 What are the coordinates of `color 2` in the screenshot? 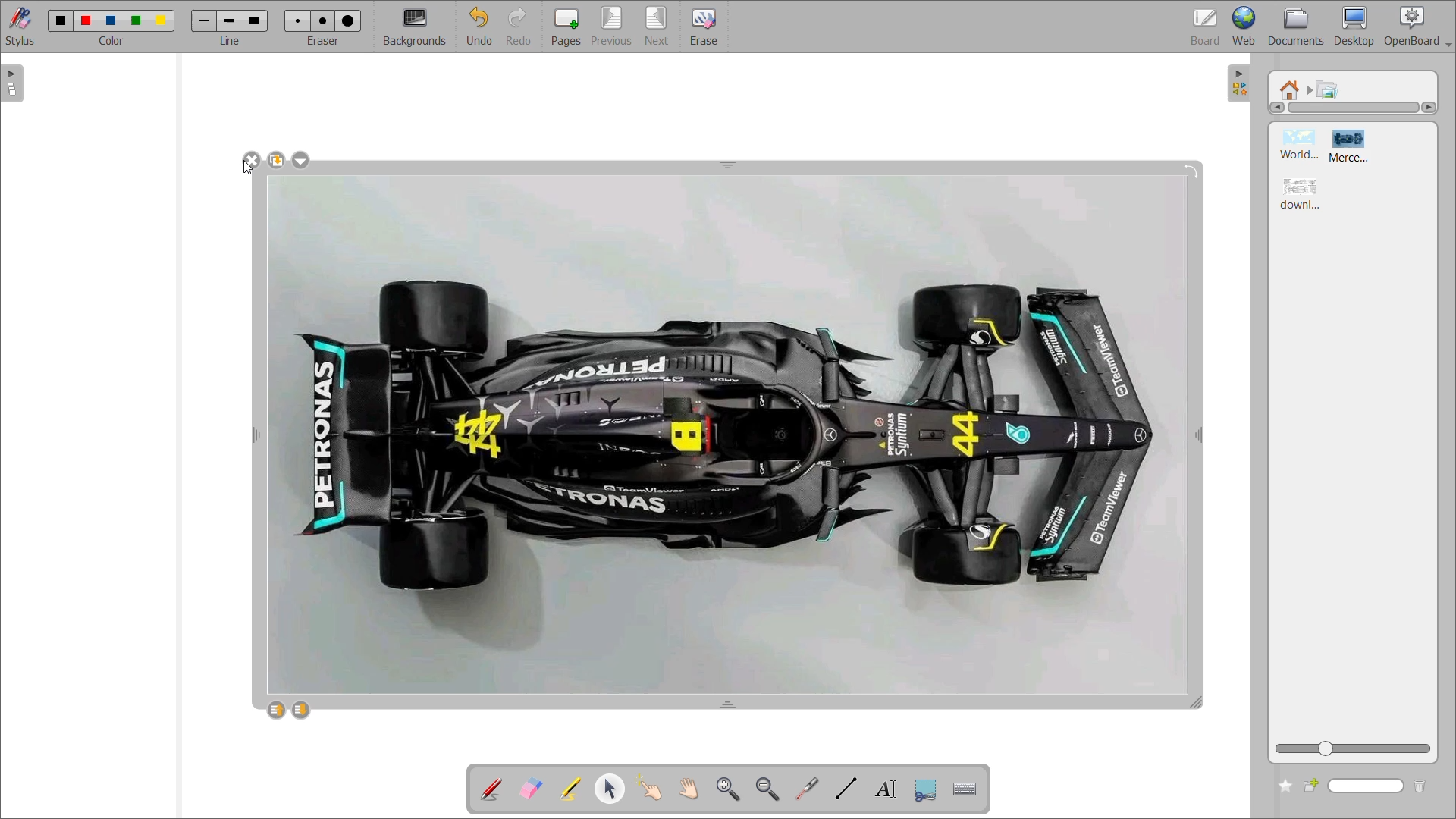 It's located at (86, 20).